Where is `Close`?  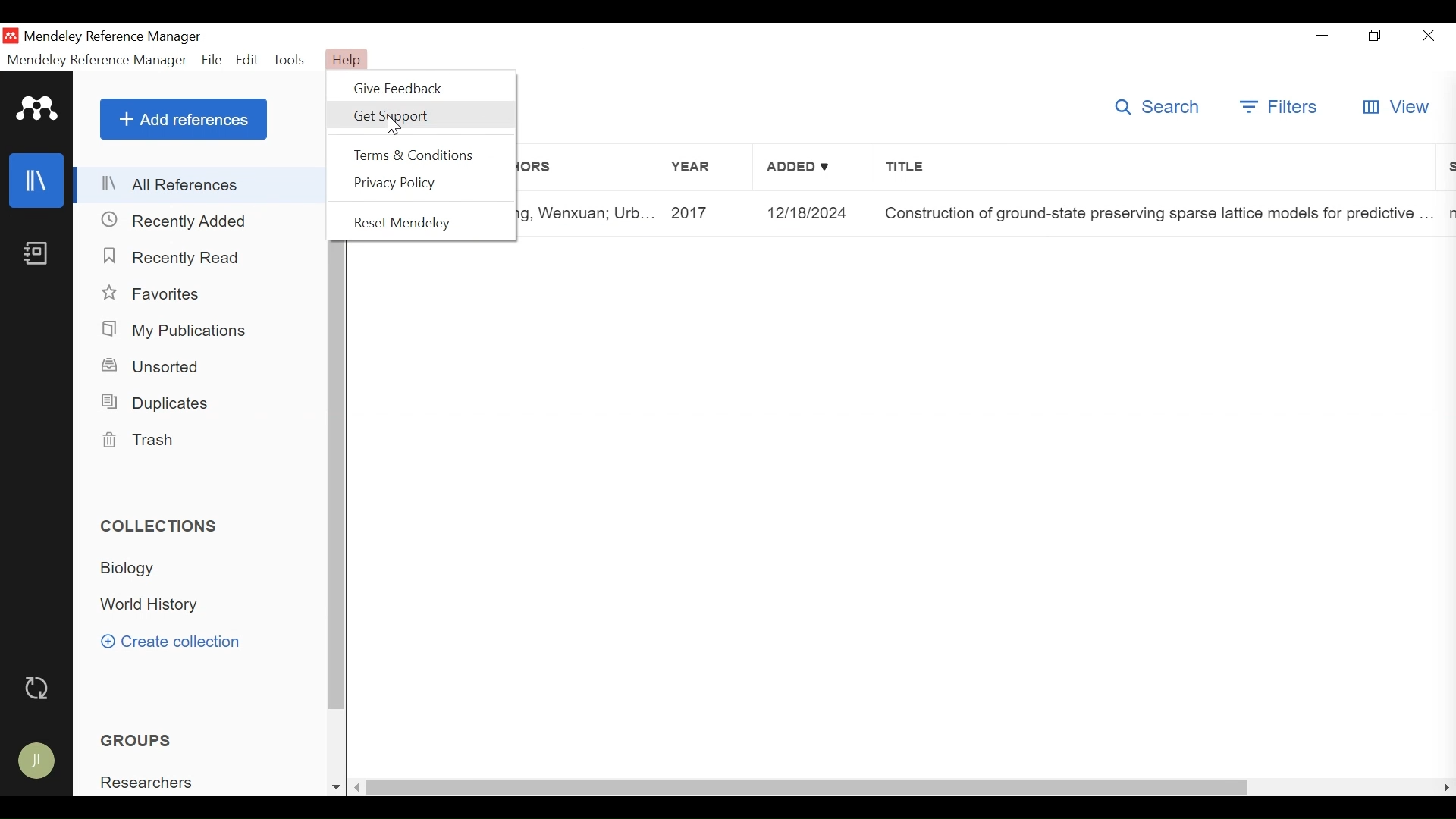
Close is located at coordinates (1430, 36).